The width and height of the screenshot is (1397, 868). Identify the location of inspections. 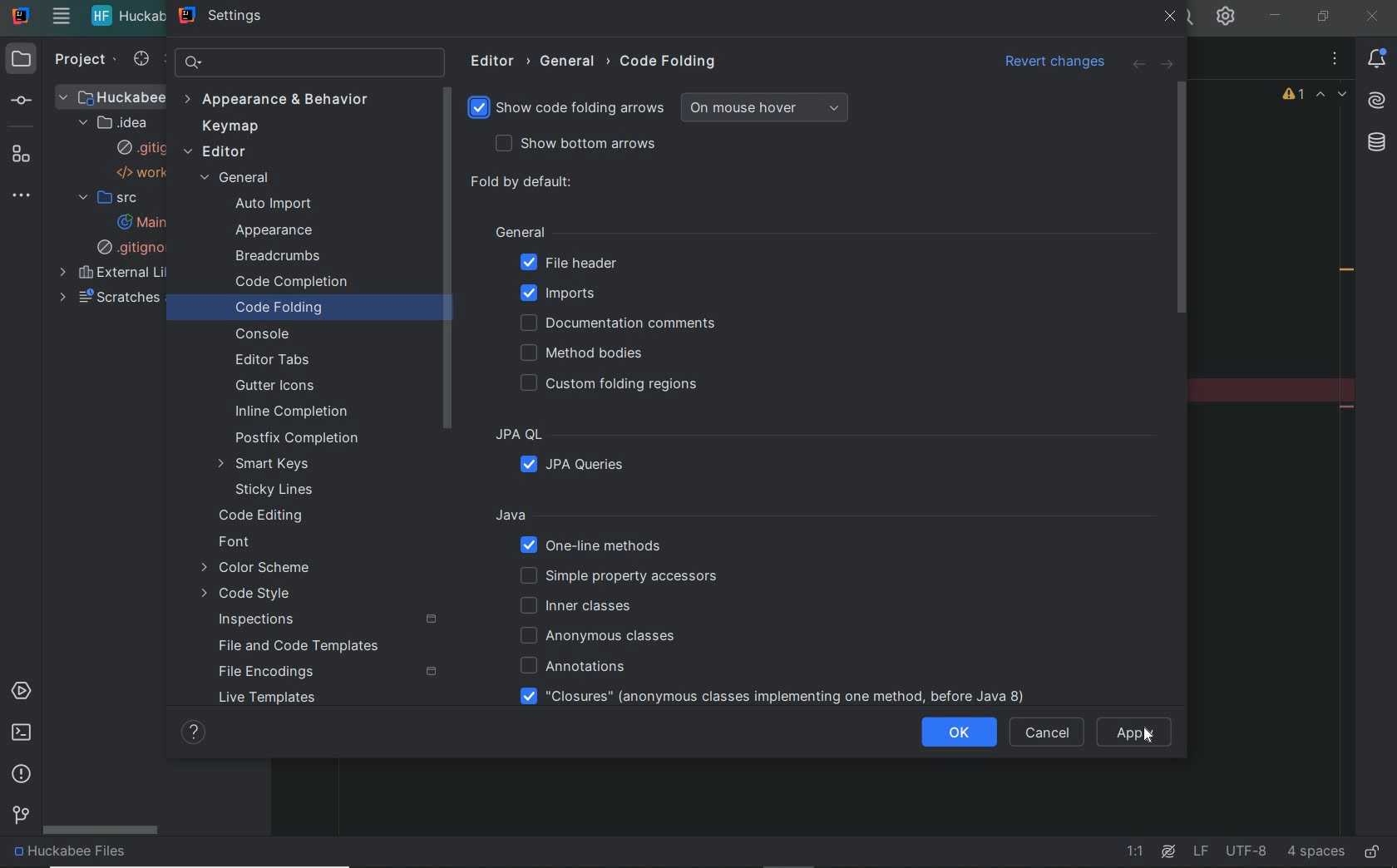
(255, 620).